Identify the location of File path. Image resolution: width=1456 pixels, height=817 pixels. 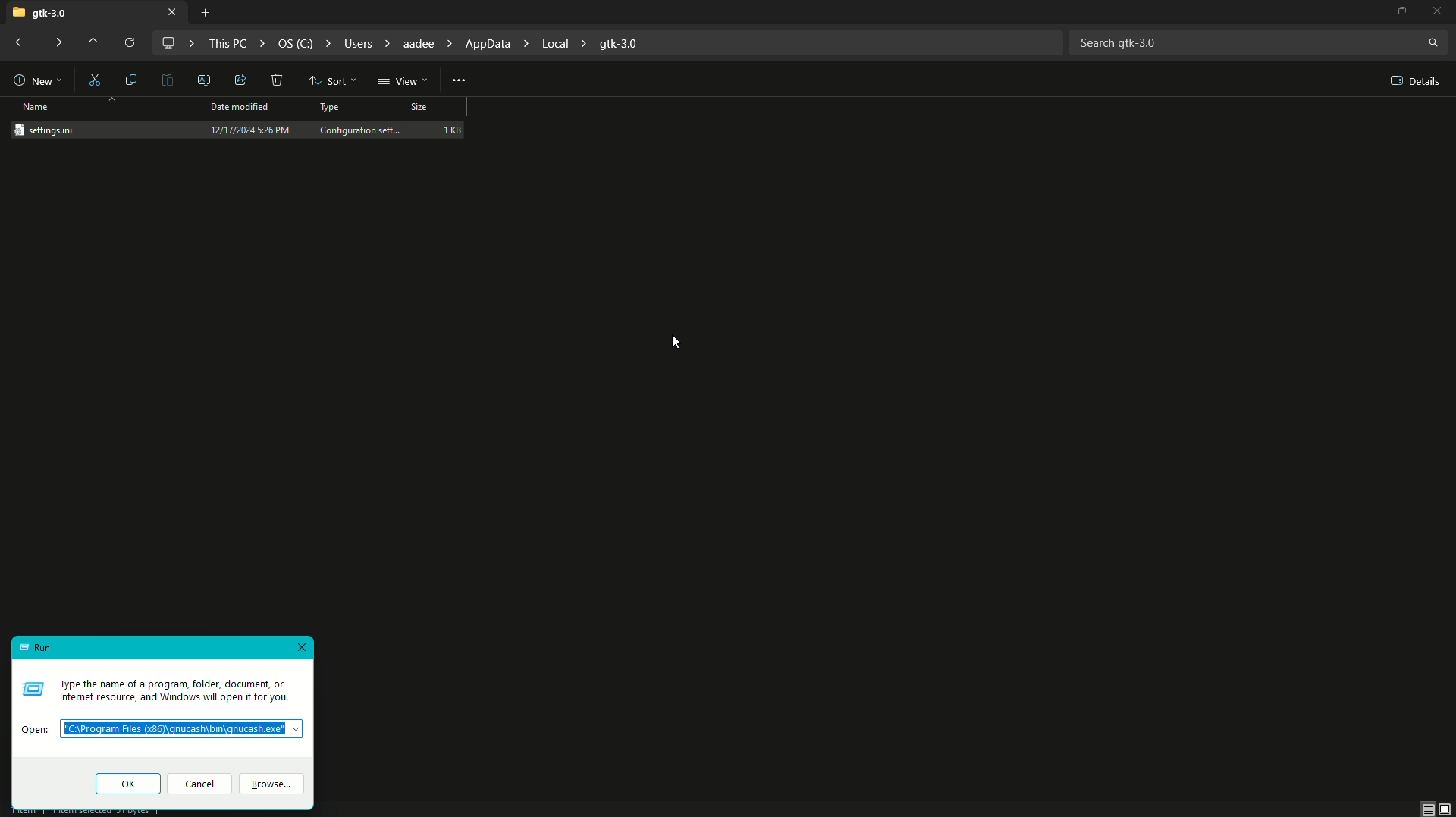
(409, 43).